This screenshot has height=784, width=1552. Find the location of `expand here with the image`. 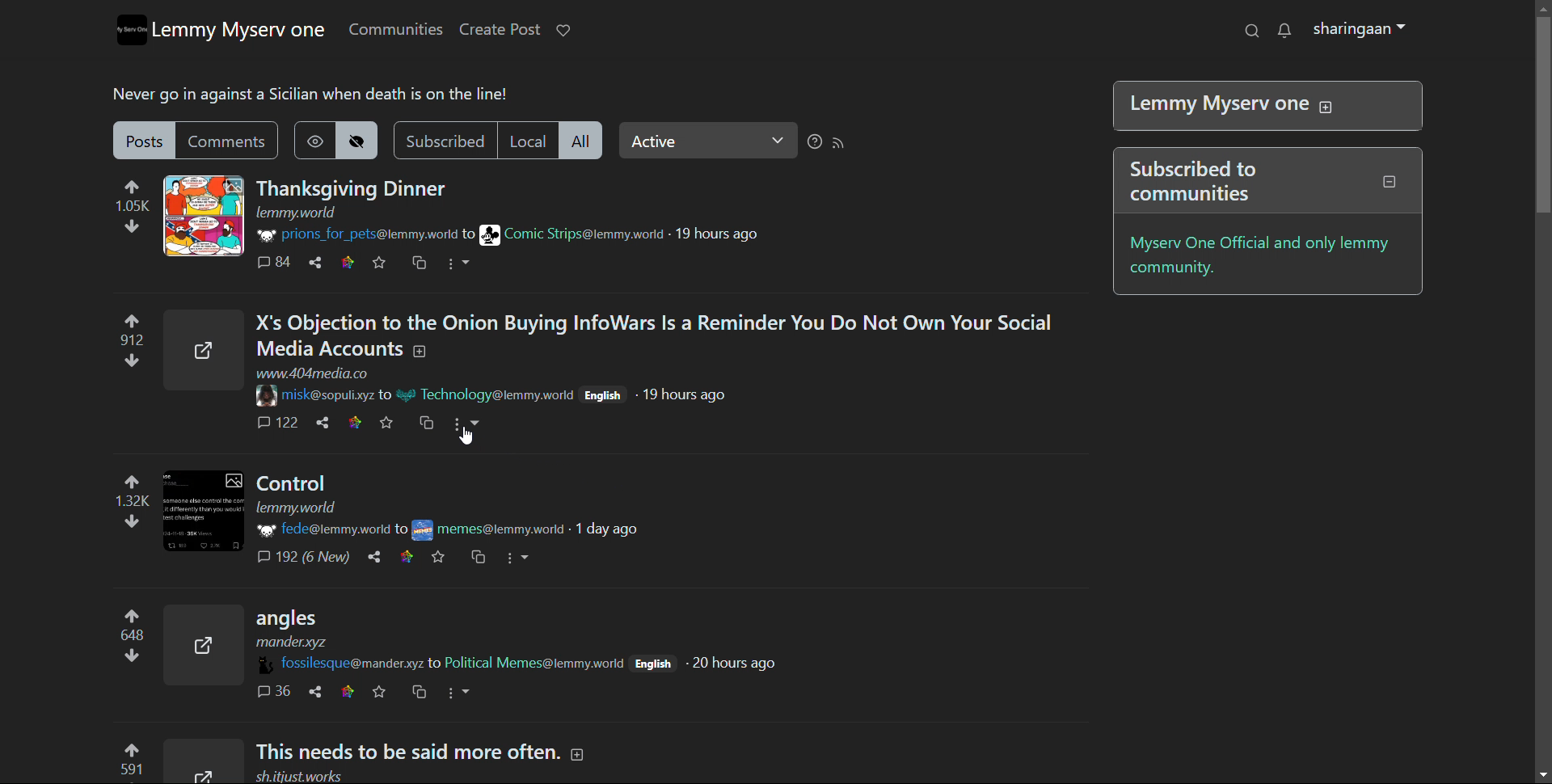

expand here with the image is located at coordinates (203, 216).